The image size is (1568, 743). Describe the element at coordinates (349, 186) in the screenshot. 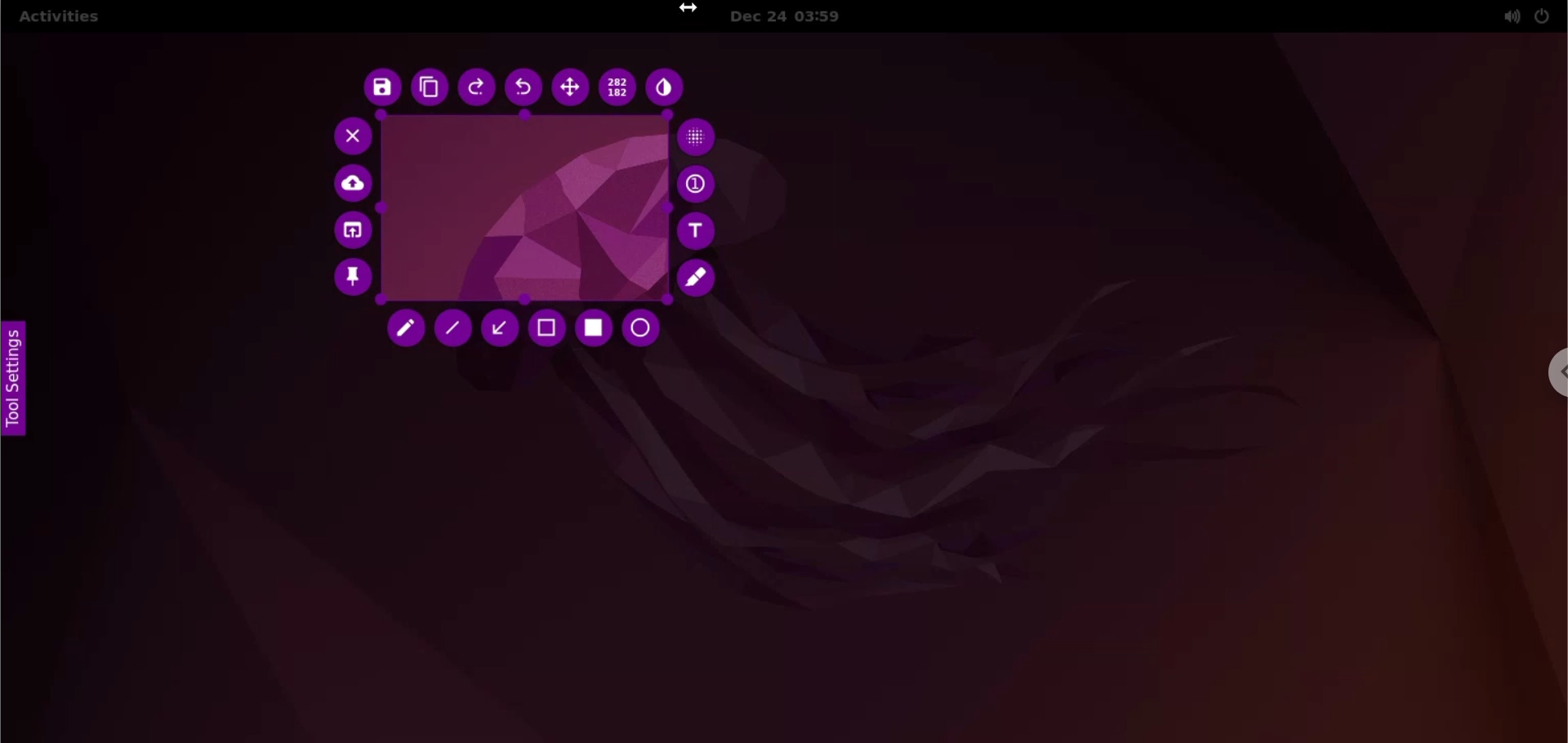

I see `upload` at that location.